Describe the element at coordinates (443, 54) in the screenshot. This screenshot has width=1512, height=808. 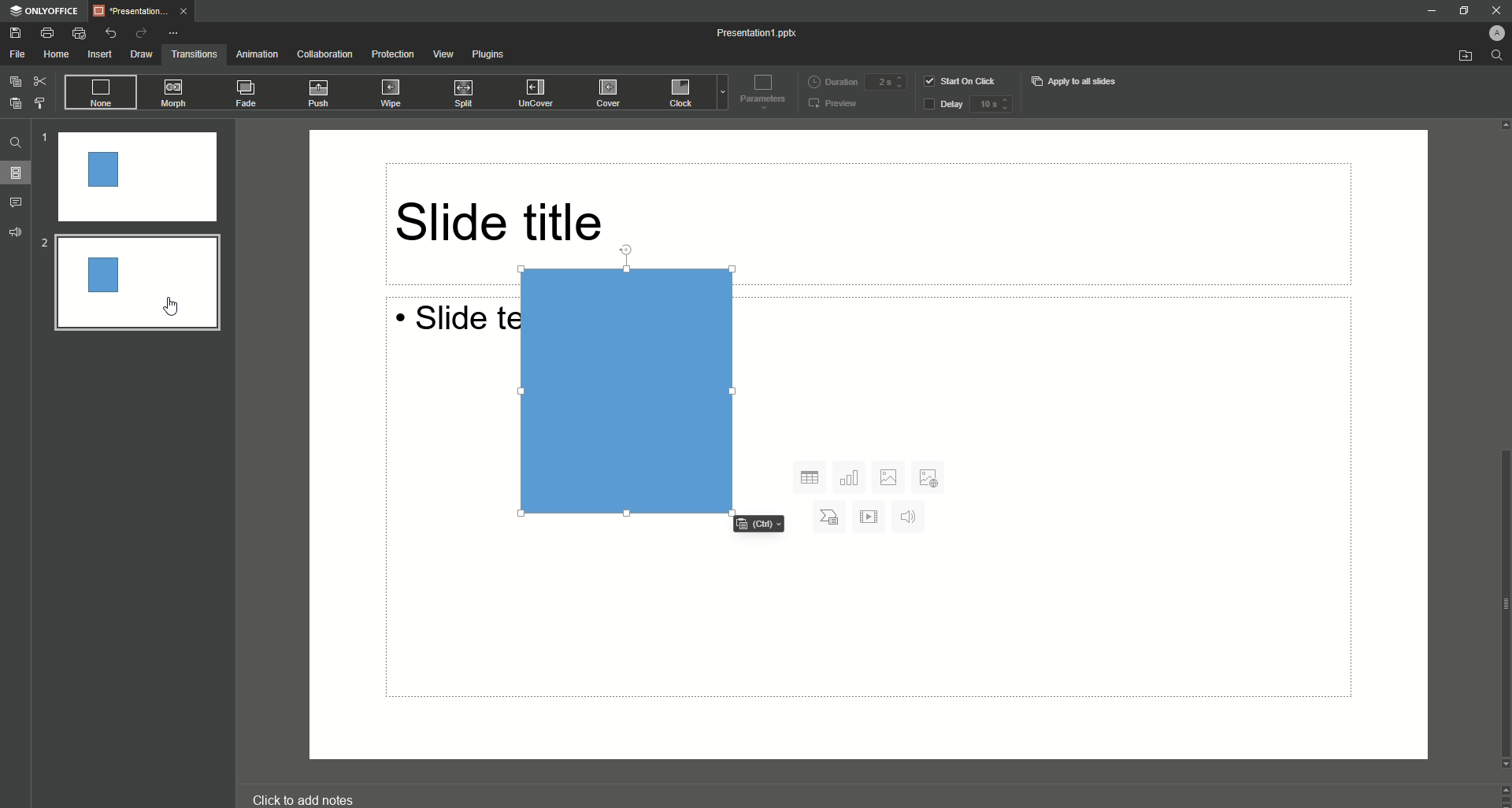
I see `View` at that location.